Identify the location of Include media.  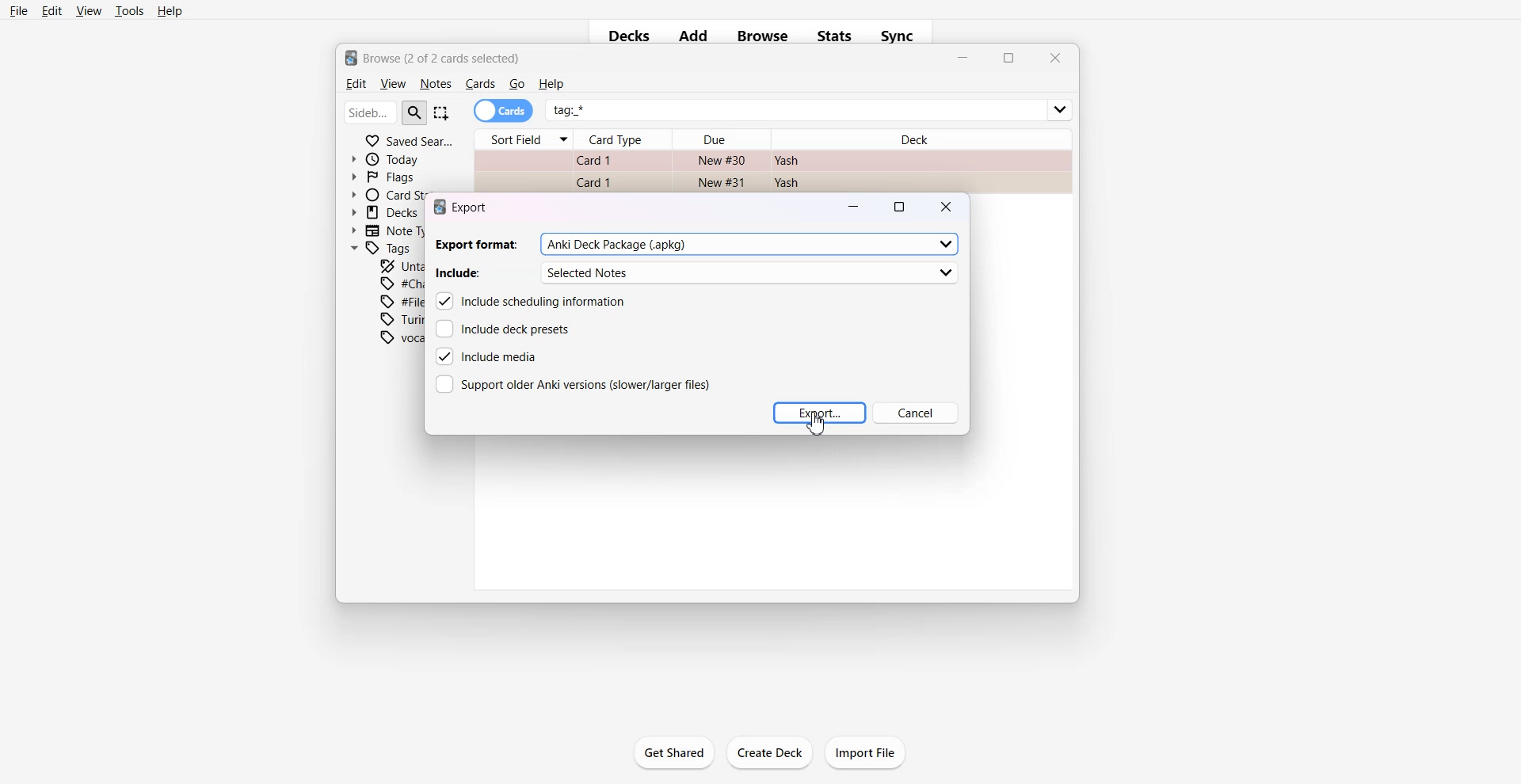
(486, 356).